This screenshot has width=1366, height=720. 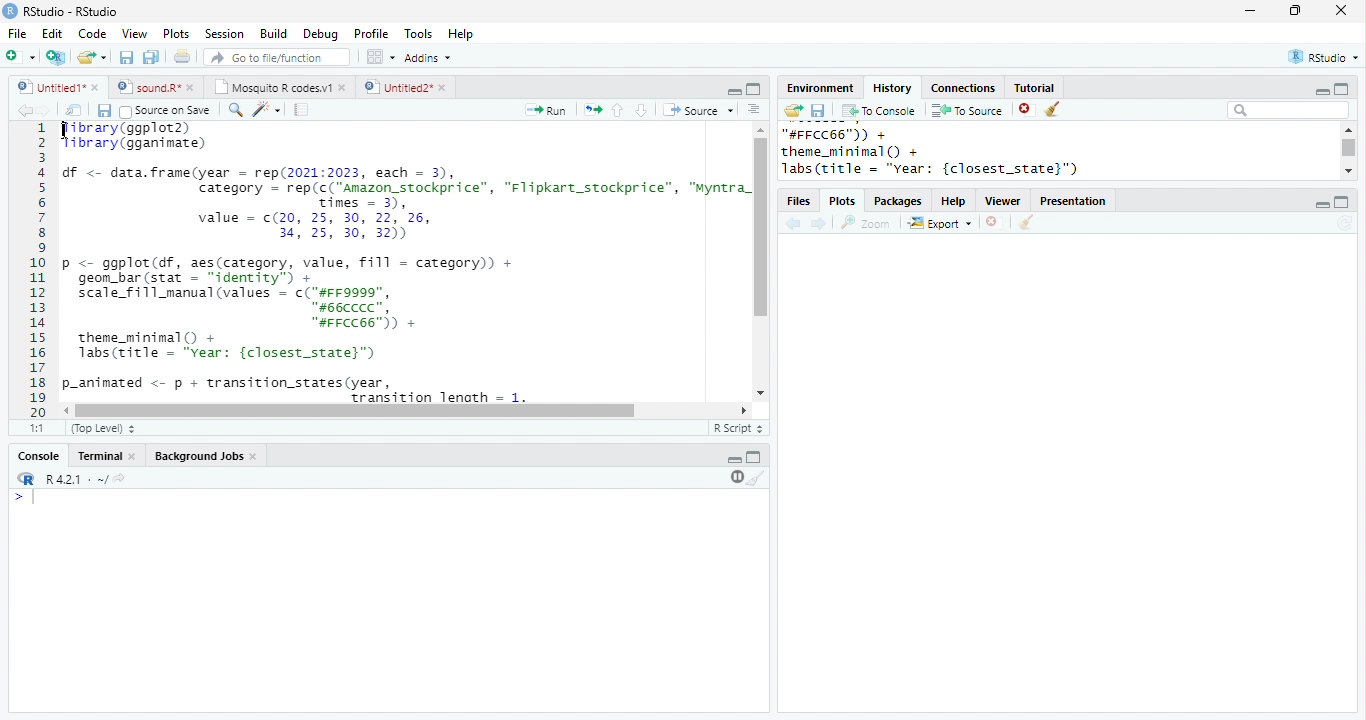 I want to click on Packages, so click(x=899, y=201).